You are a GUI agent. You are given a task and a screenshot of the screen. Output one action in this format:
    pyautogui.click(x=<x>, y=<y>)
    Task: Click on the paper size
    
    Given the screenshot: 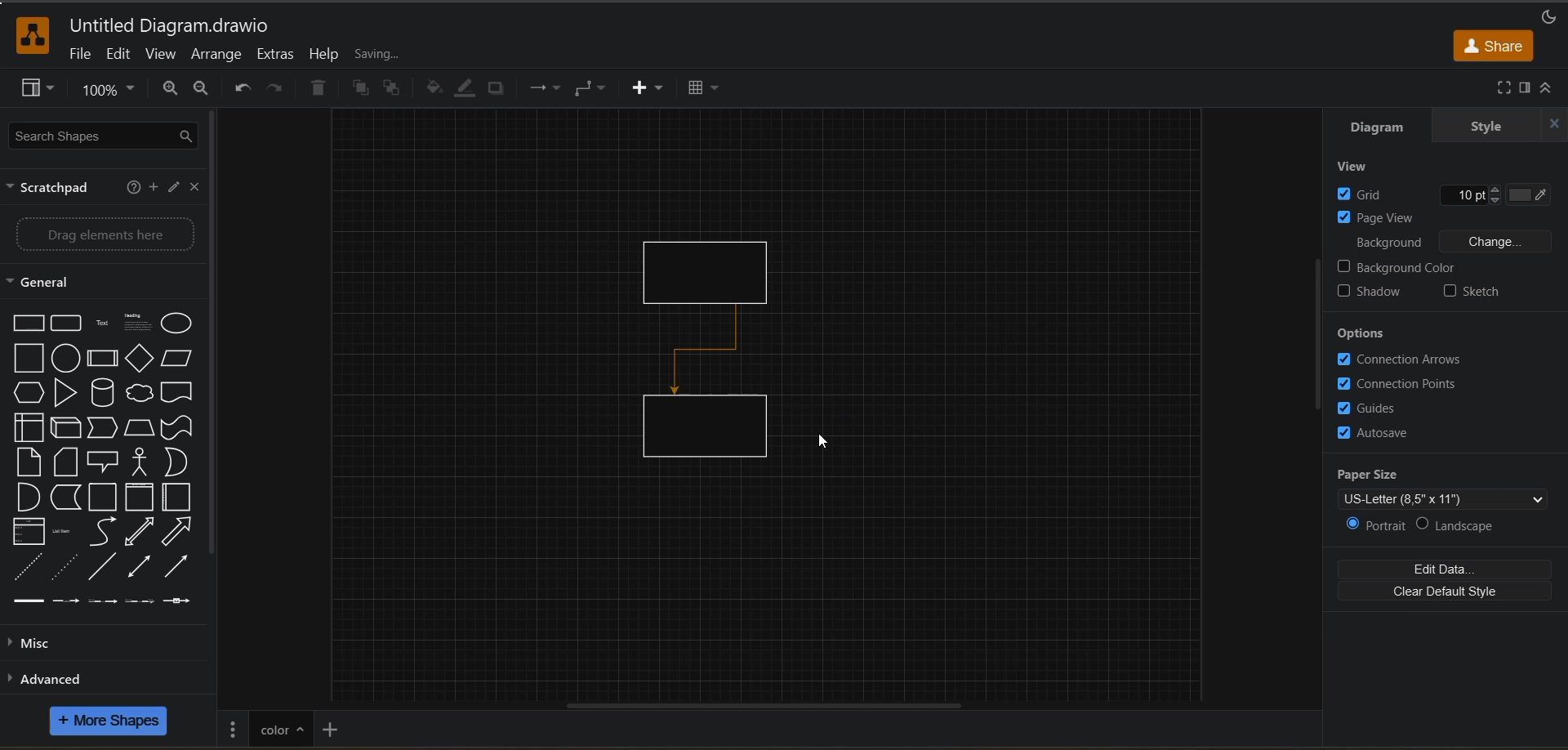 What is the action you would take?
    pyautogui.click(x=1449, y=484)
    